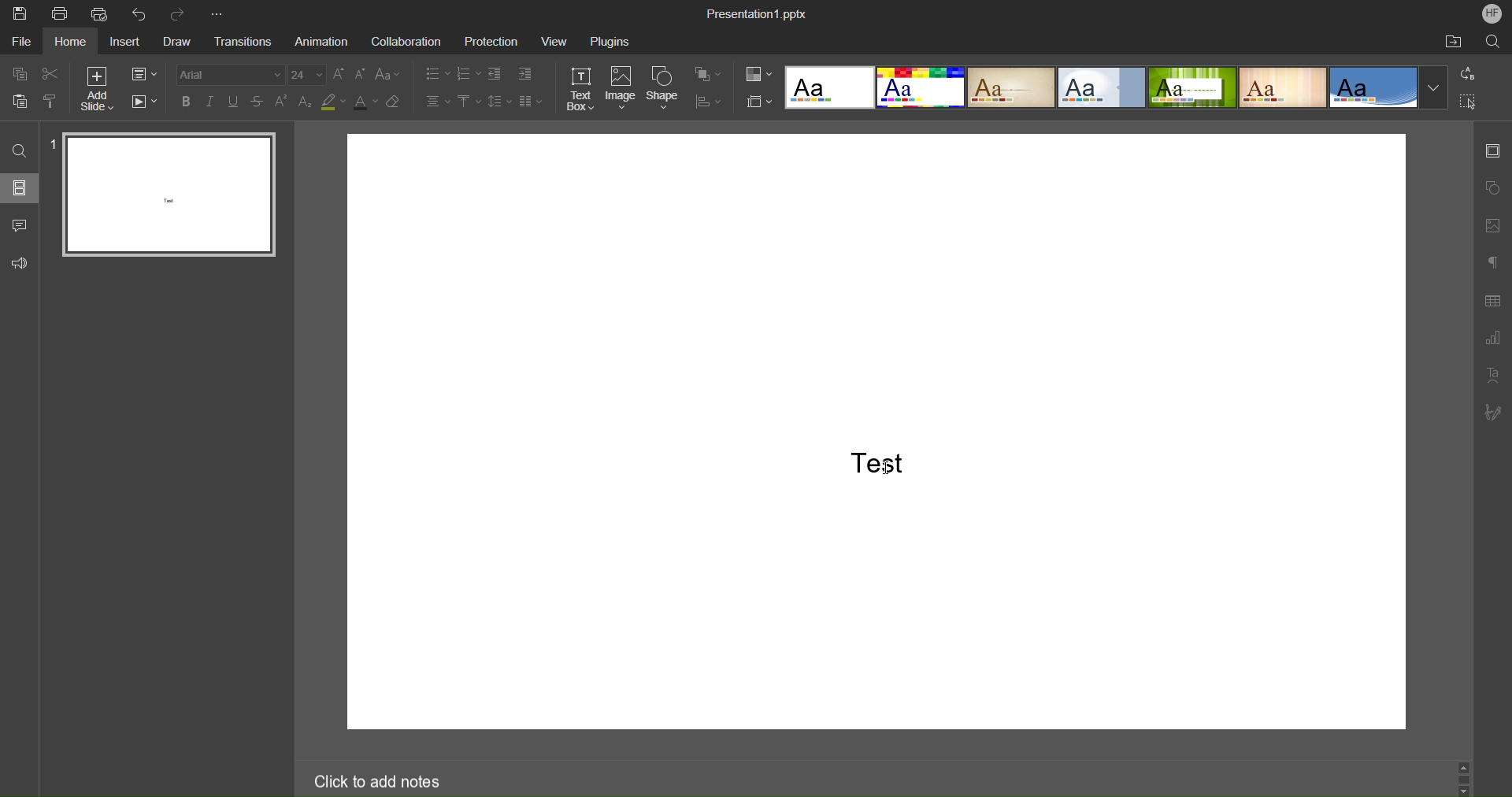  Describe the element at coordinates (183, 41) in the screenshot. I see `Draw` at that location.